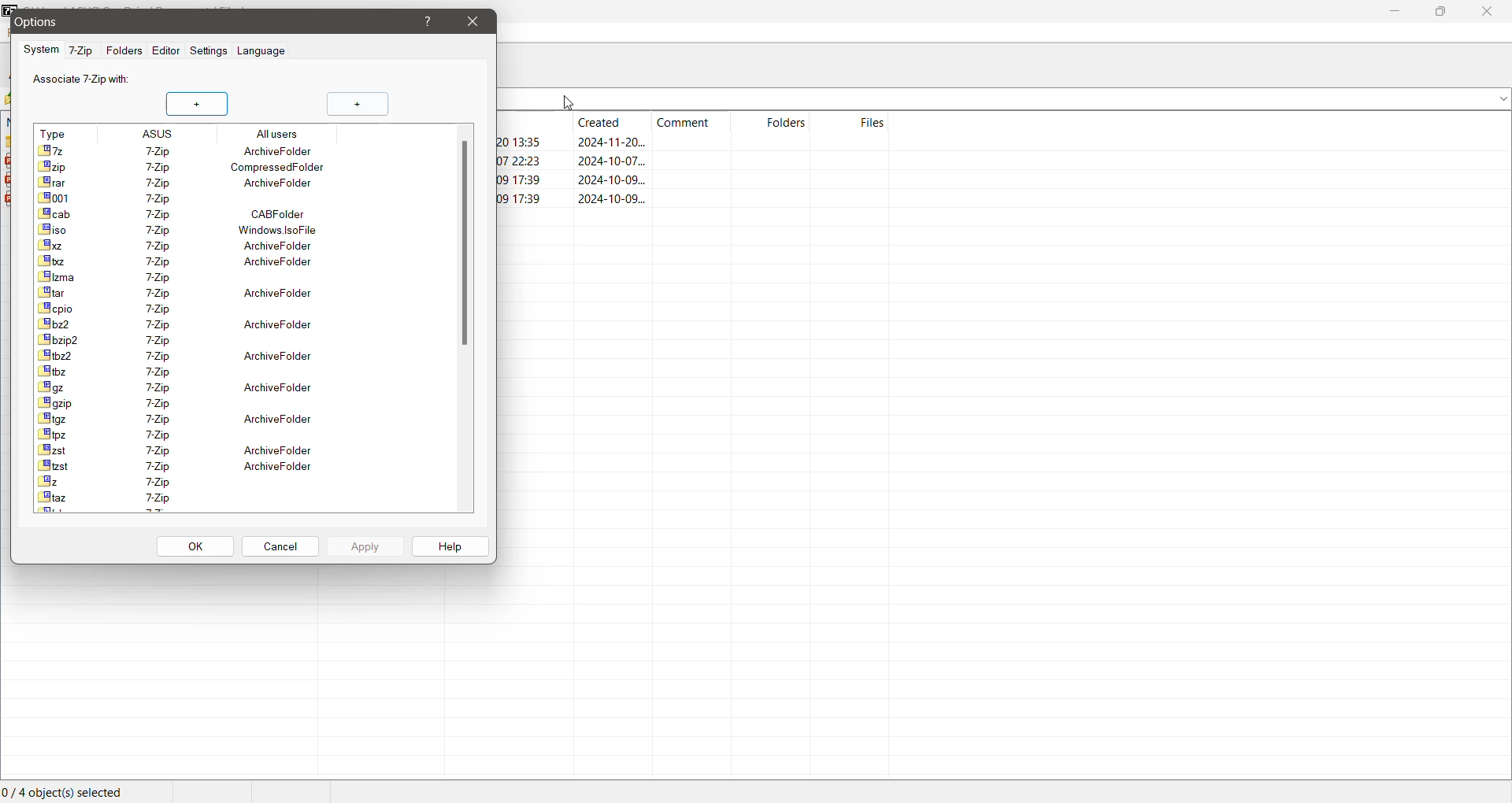 This screenshot has height=803, width=1512. Describe the element at coordinates (602, 198) in the screenshot. I see `09 17:39 2024-10-09...` at that location.